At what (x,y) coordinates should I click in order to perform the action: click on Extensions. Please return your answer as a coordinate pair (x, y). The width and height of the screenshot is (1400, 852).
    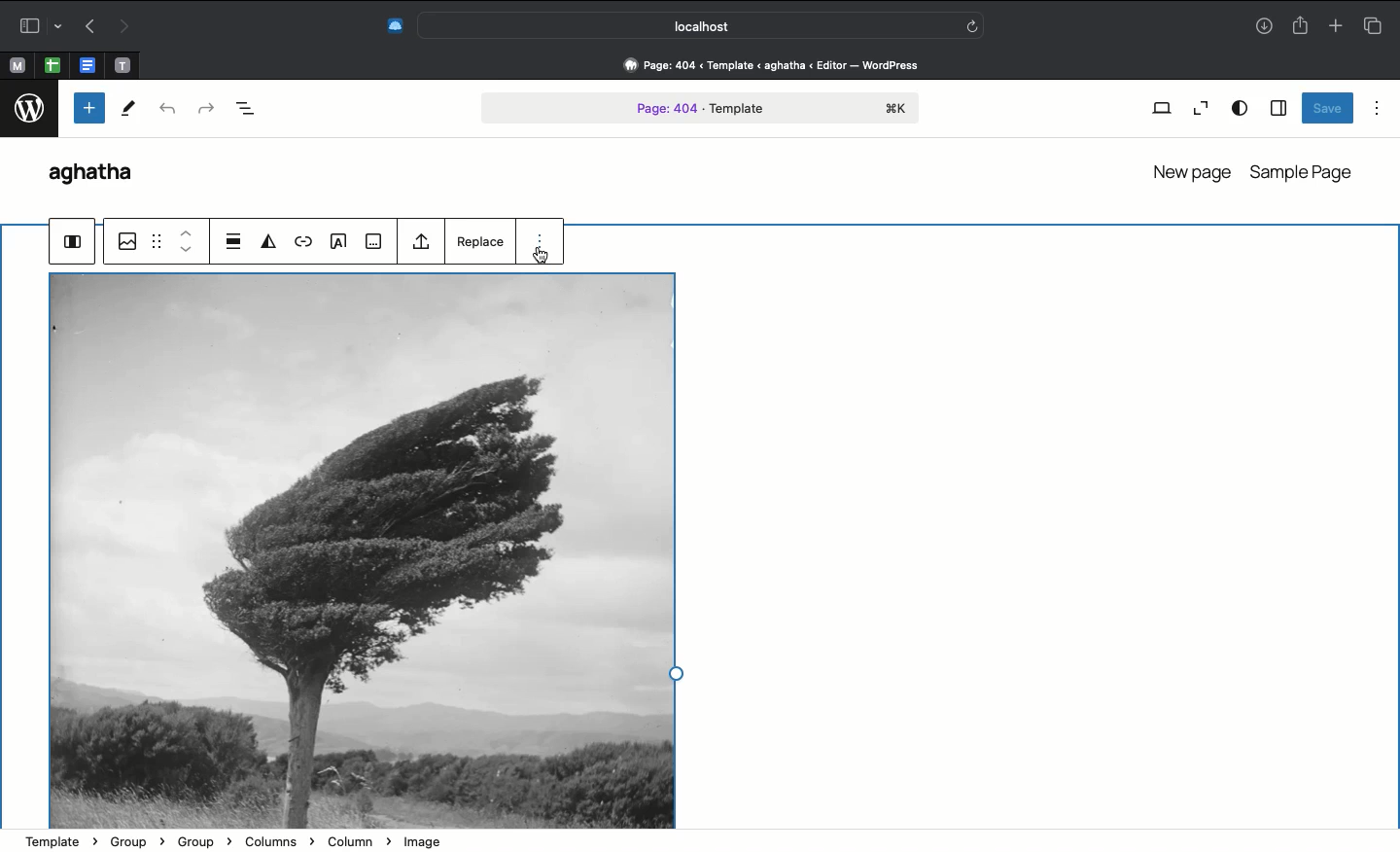
    Looking at the image, I should click on (393, 27).